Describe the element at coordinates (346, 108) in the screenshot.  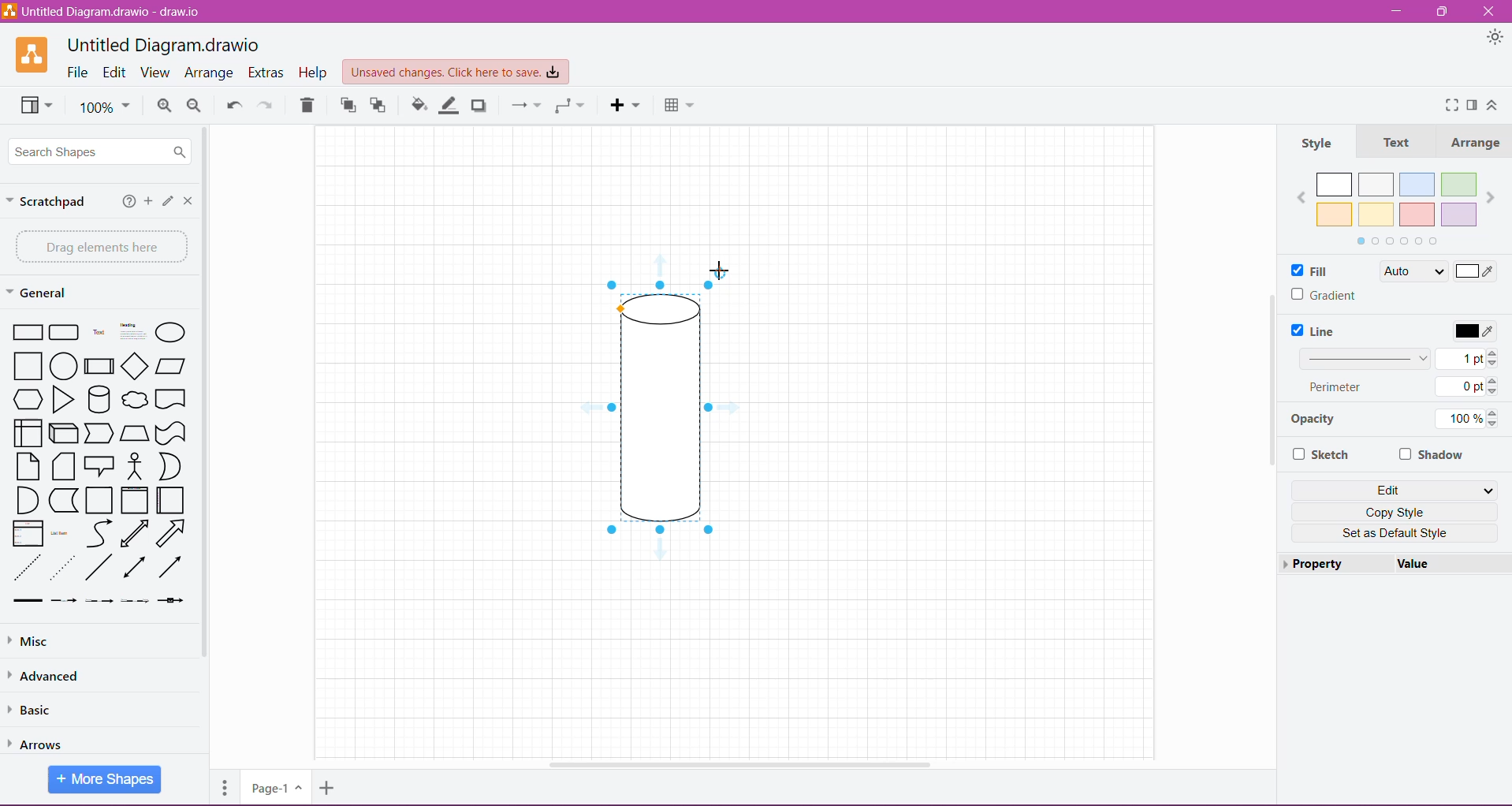
I see `To front` at that location.